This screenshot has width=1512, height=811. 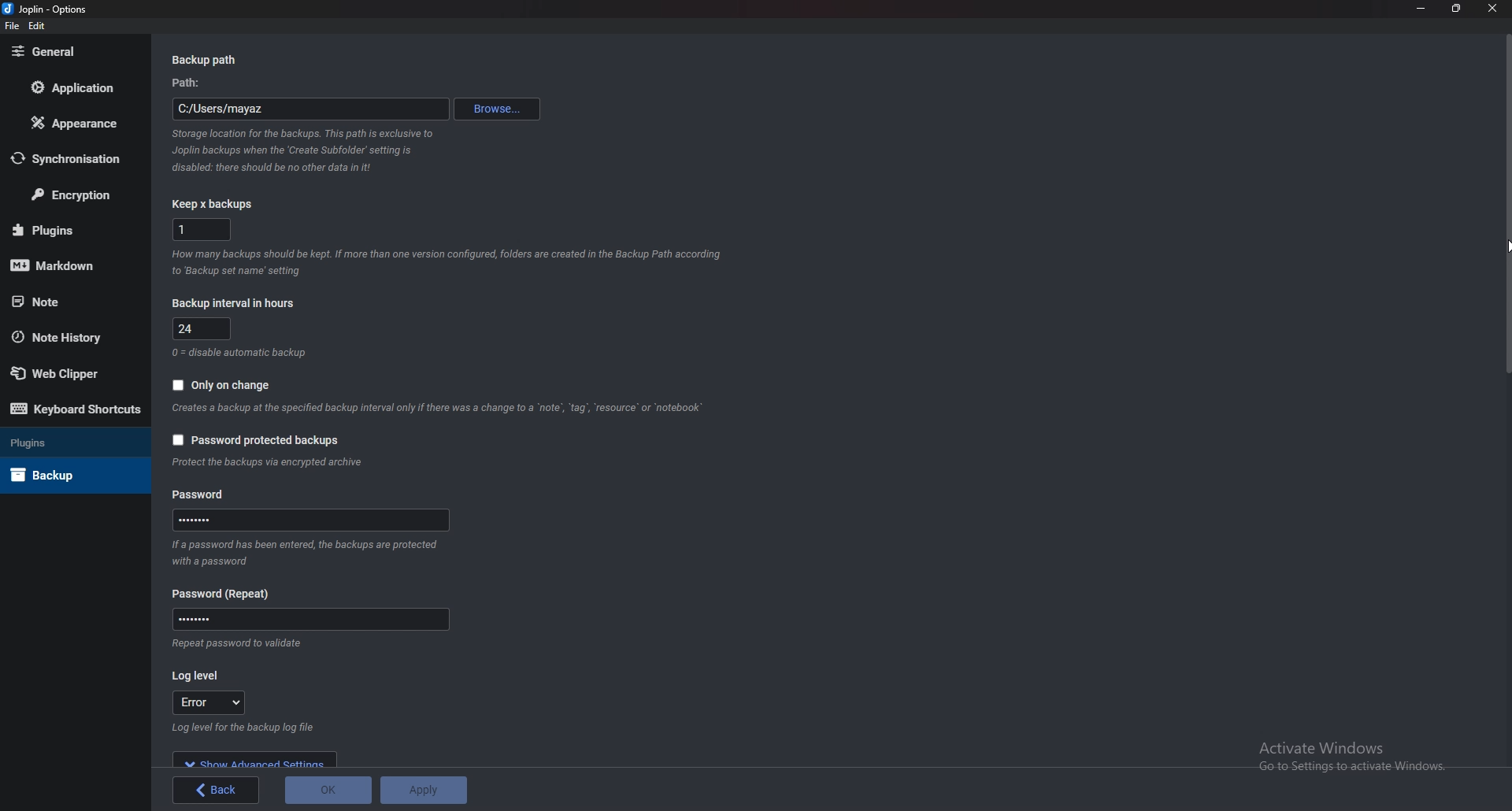 What do you see at coordinates (228, 594) in the screenshot?
I see `Password` at bounding box center [228, 594].